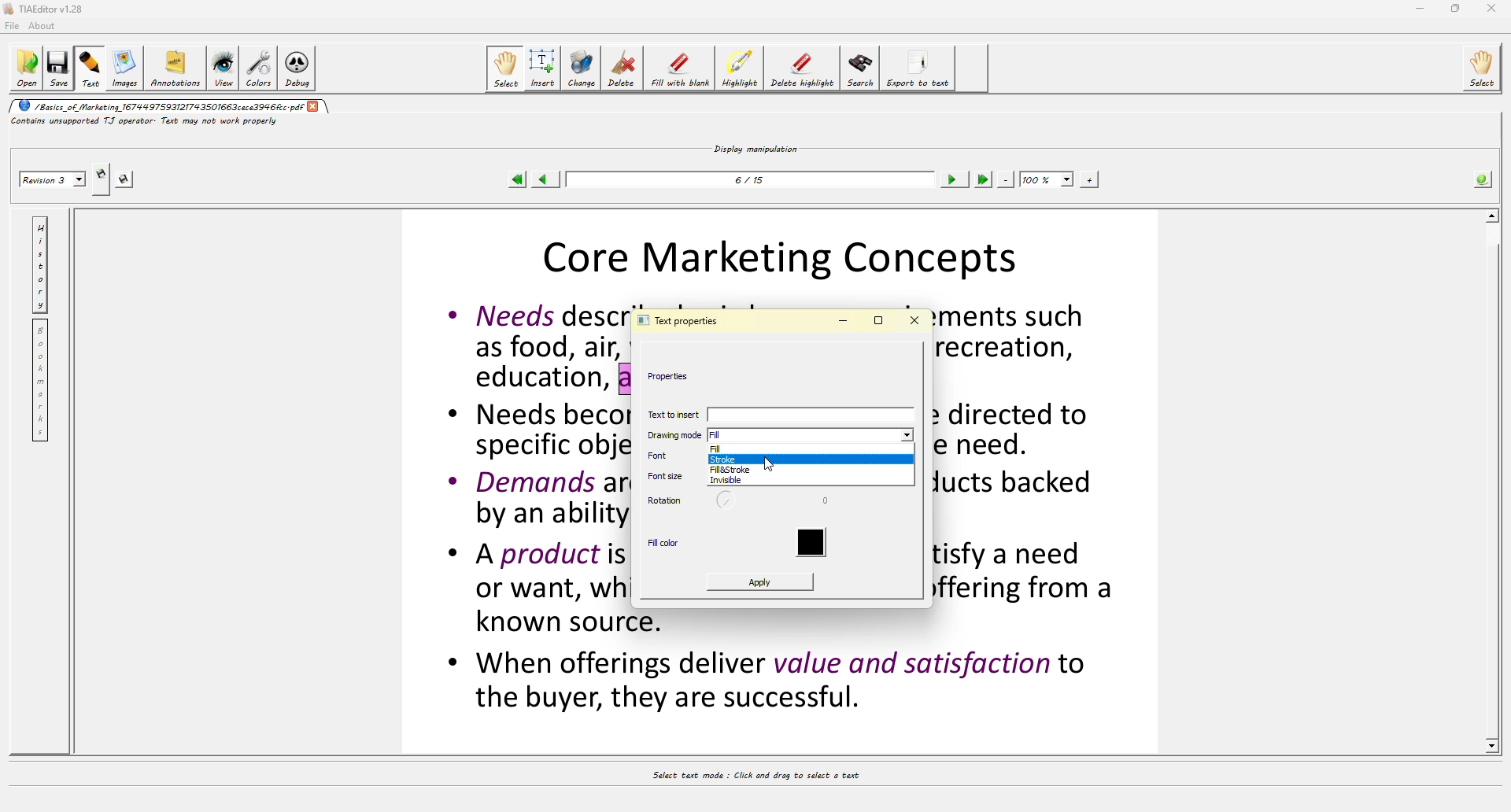 The height and width of the screenshot is (812, 1511). What do you see at coordinates (752, 184) in the screenshot?
I see `6/15` at bounding box center [752, 184].